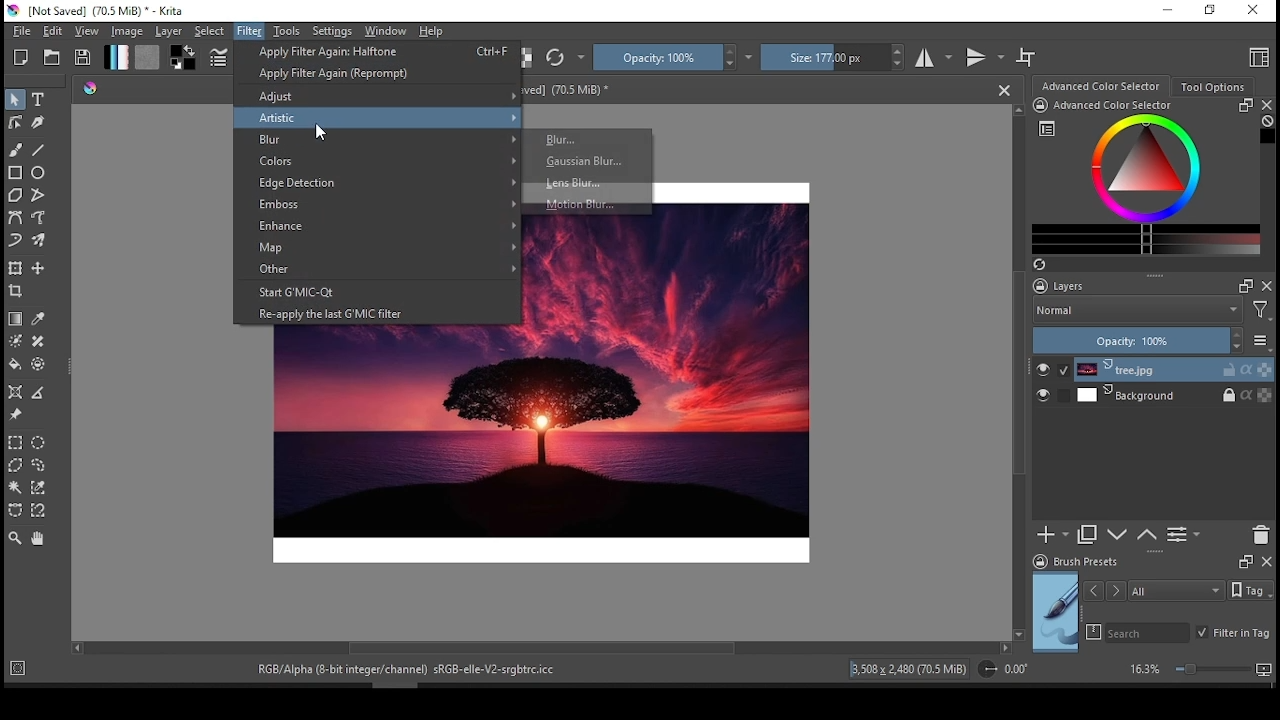  I want to click on Motion Blur, so click(578, 202).